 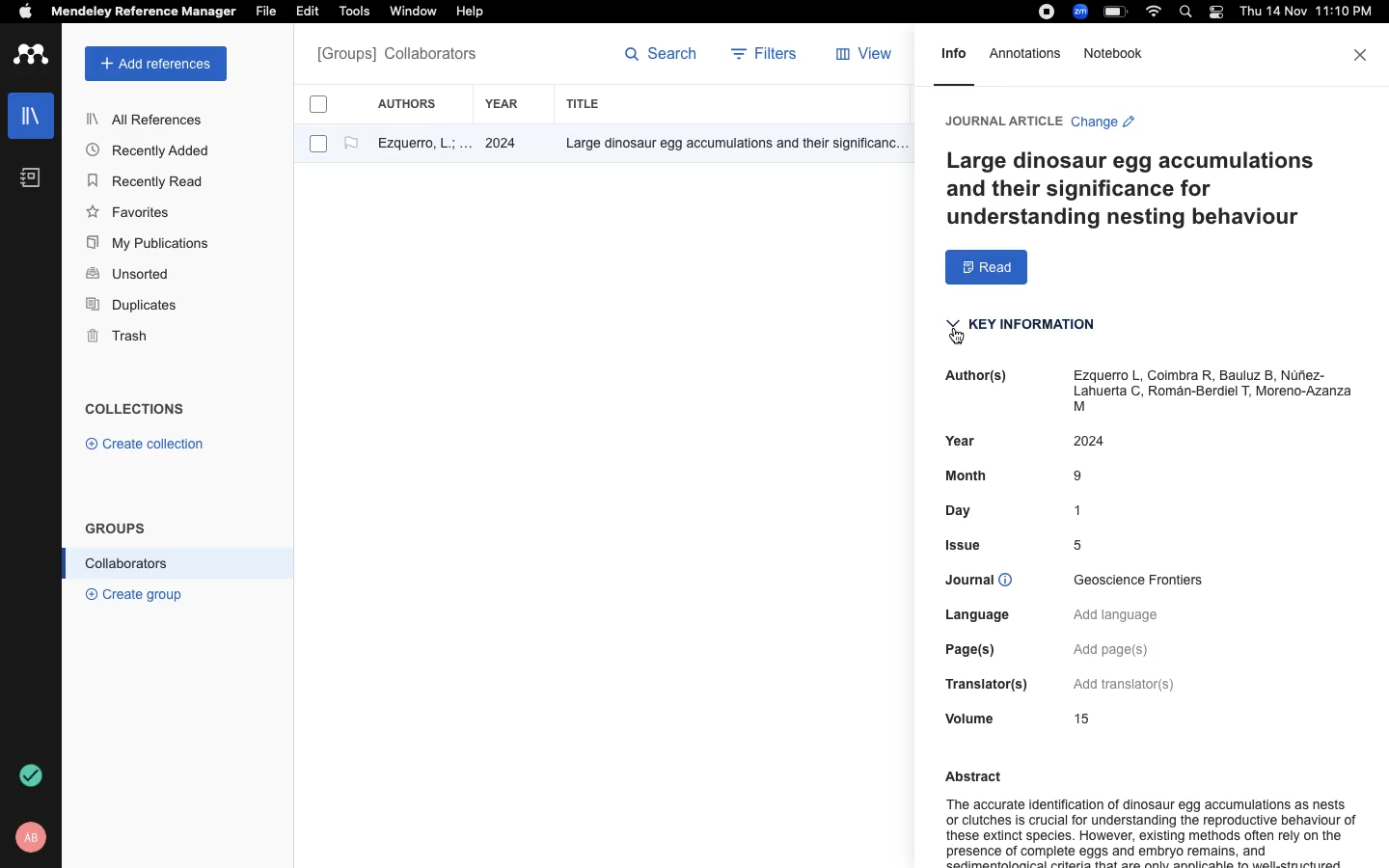 What do you see at coordinates (354, 13) in the screenshot?
I see `Tools` at bounding box center [354, 13].